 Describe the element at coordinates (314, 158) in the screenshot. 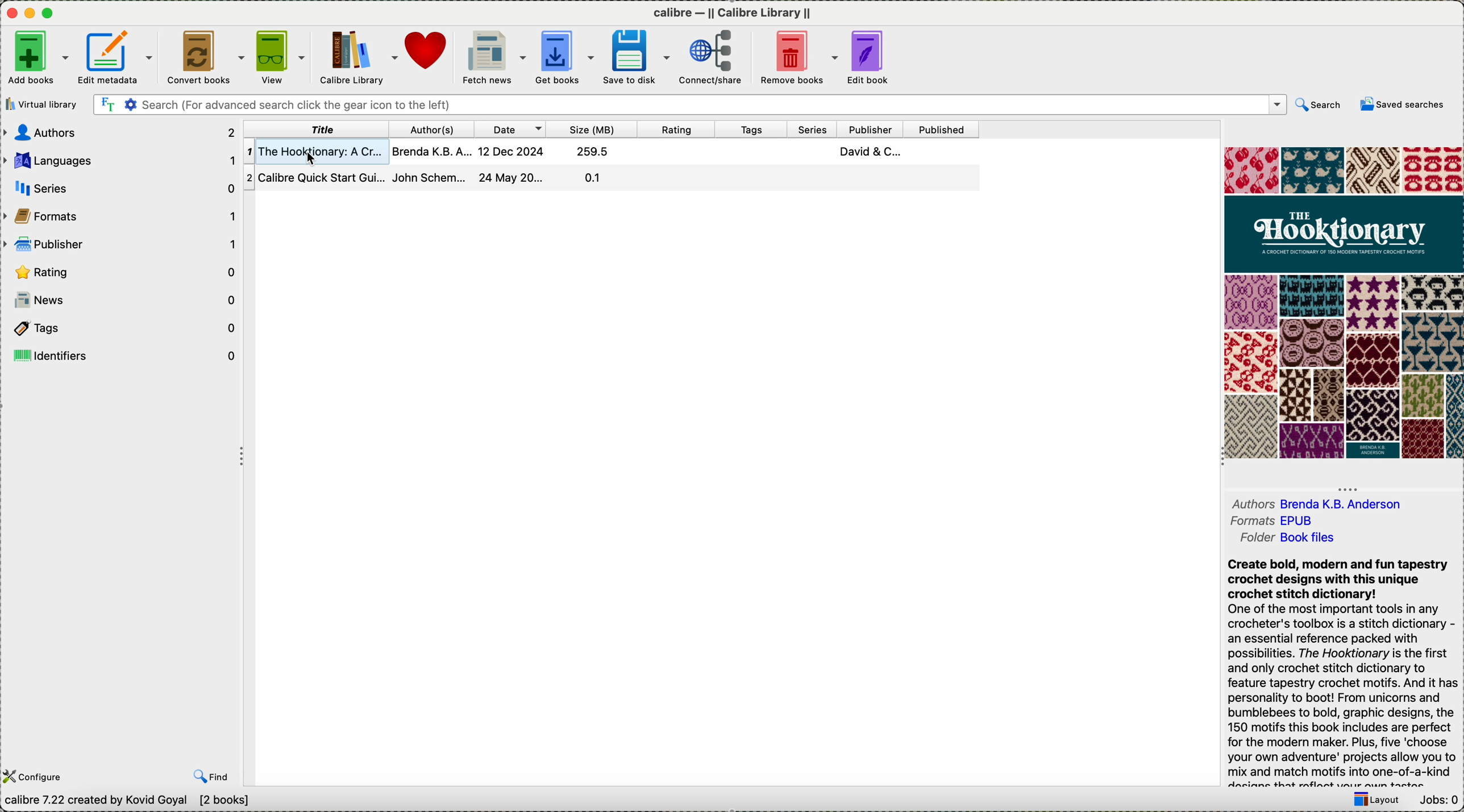

I see `cursor` at that location.